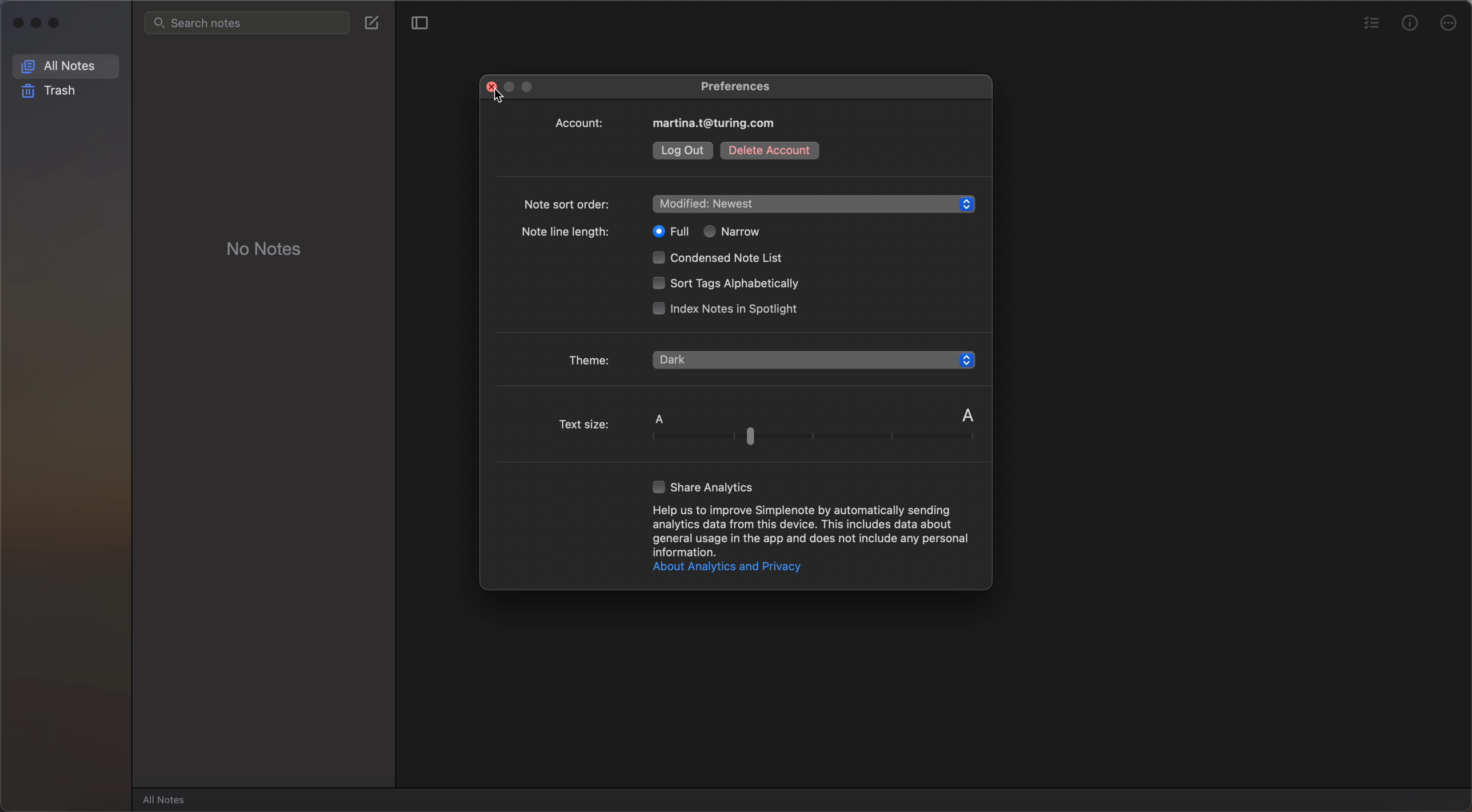  Describe the element at coordinates (749, 203) in the screenshot. I see `note sort order` at that location.